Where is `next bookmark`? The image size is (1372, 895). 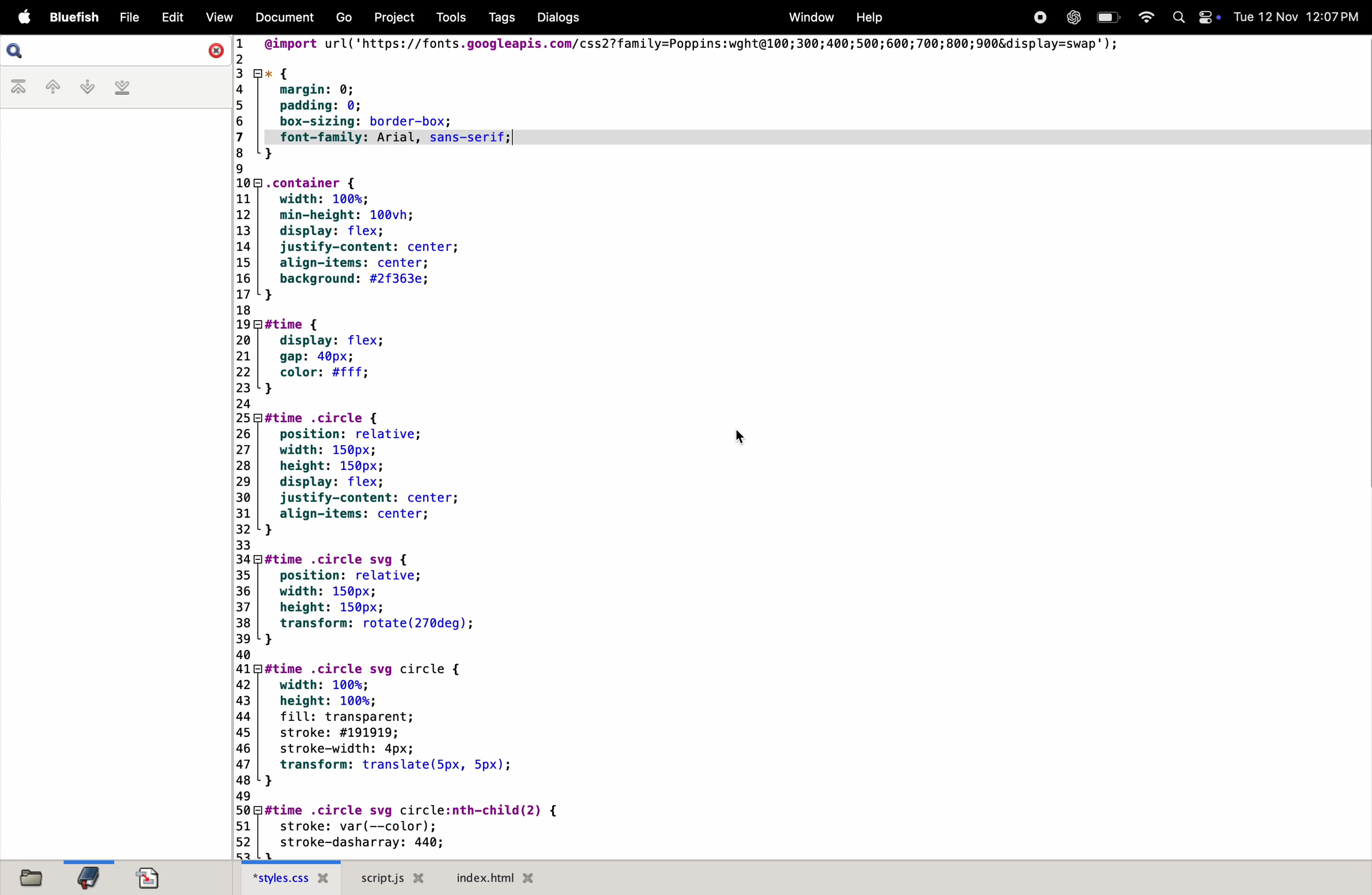
next bookmark is located at coordinates (82, 87).